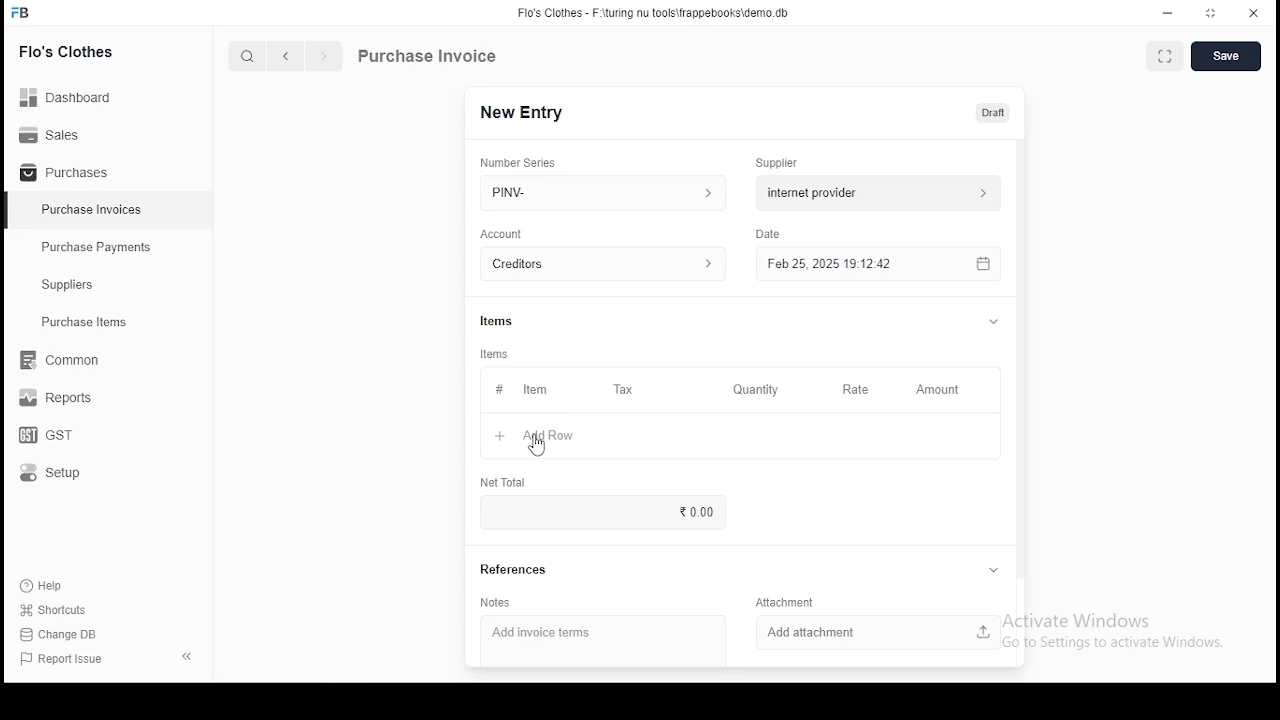 The width and height of the screenshot is (1280, 720). What do you see at coordinates (499, 437) in the screenshot?
I see `+` at bounding box center [499, 437].